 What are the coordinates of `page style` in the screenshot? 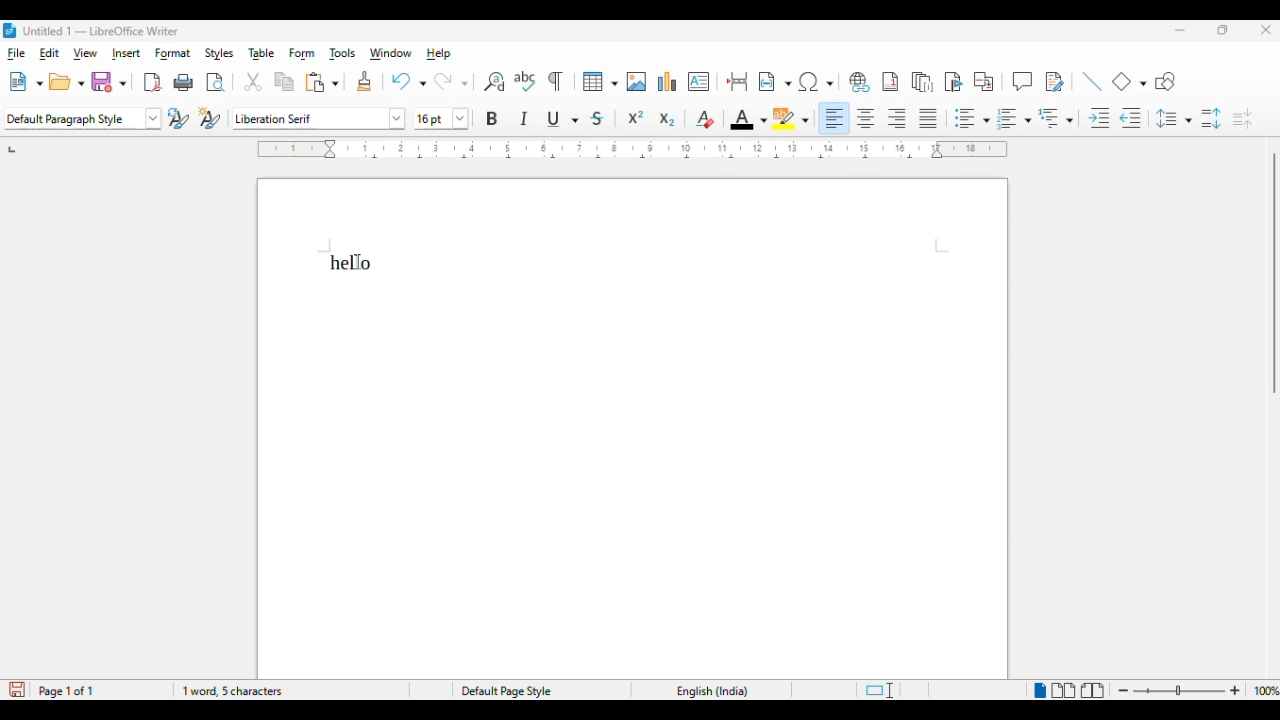 It's located at (507, 691).